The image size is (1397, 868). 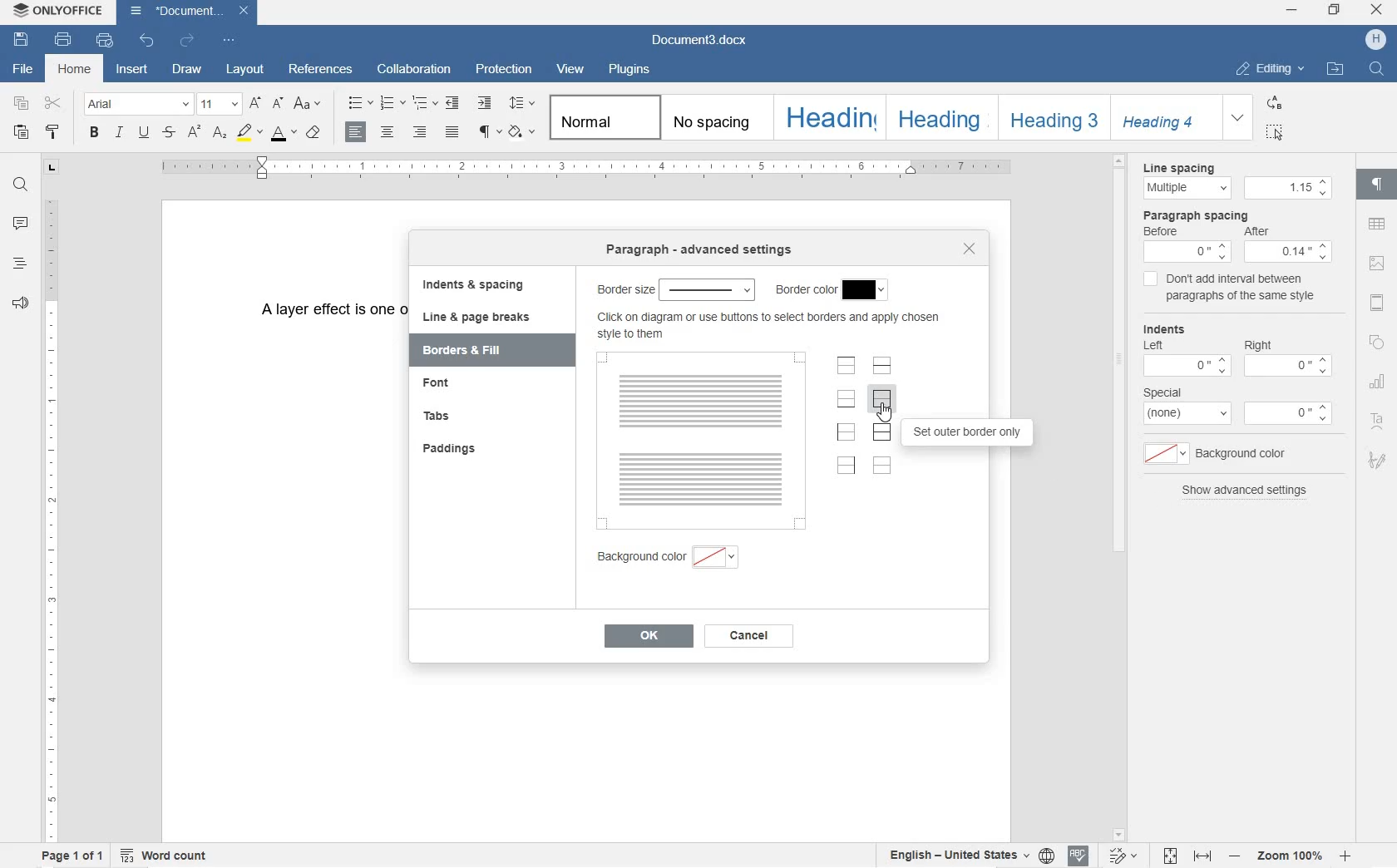 I want to click on STRIKETHROUGH, so click(x=168, y=131).